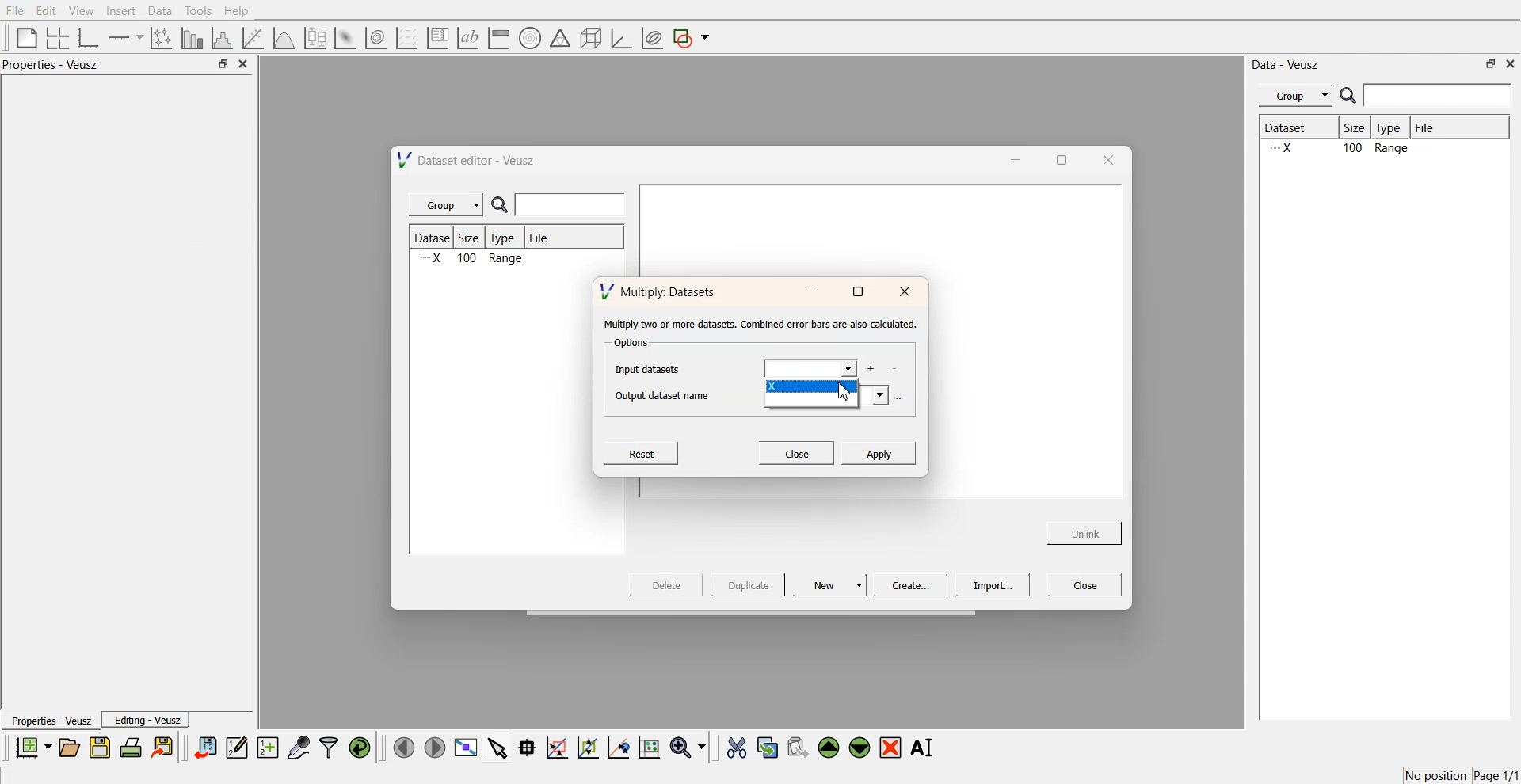 The width and height of the screenshot is (1521, 784). Describe the element at coordinates (23, 36) in the screenshot. I see `blank page` at that location.